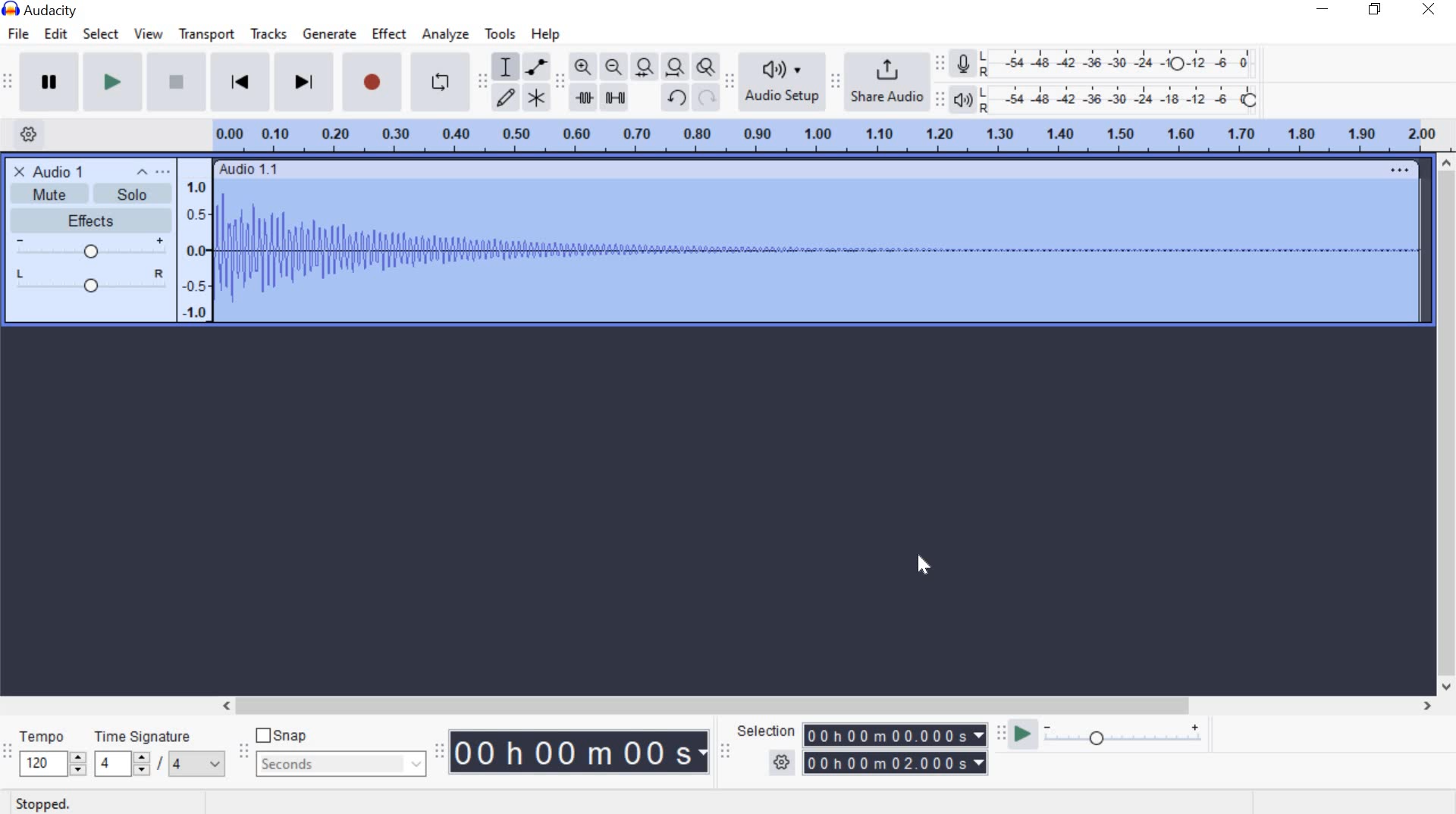  What do you see at coordinates (997, 734) in the screenshot?
I see `Play-at-speed toolbar` at bounding box center [997, 734].